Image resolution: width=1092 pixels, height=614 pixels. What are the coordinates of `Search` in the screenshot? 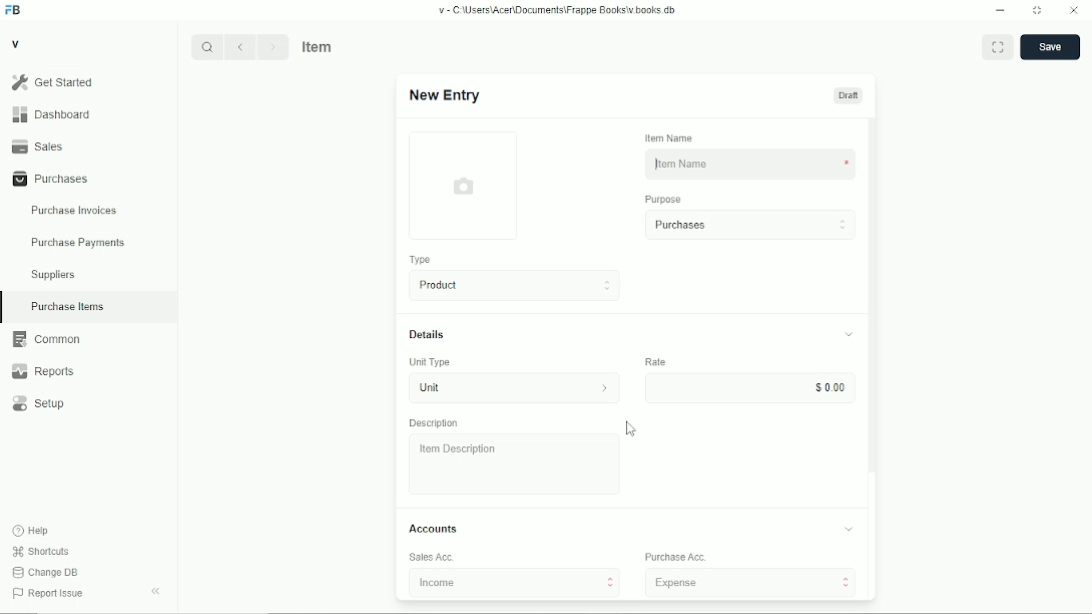 It's located at (207, 47).